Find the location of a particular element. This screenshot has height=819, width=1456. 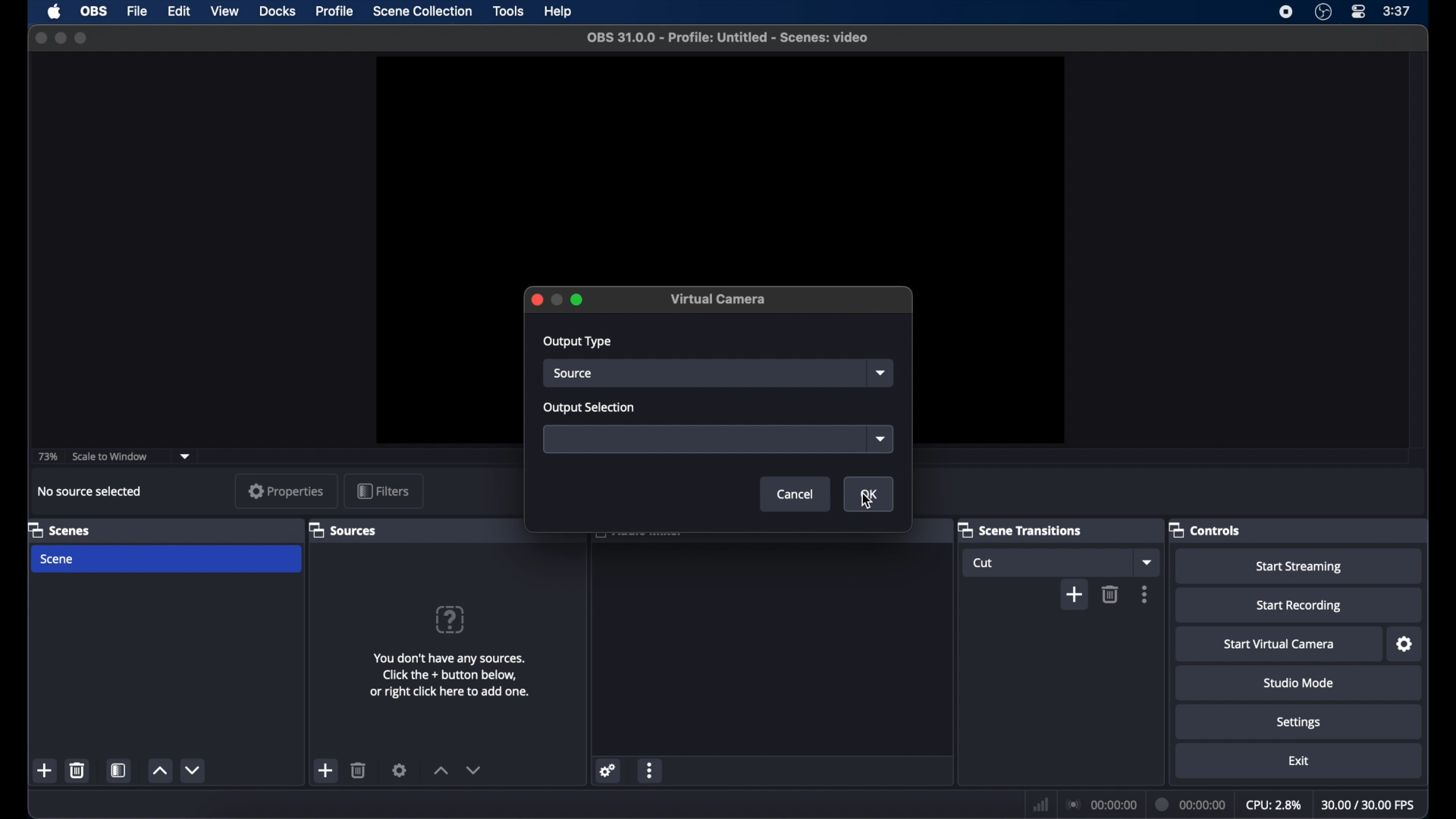

output type is located at coordinates (576, 341).